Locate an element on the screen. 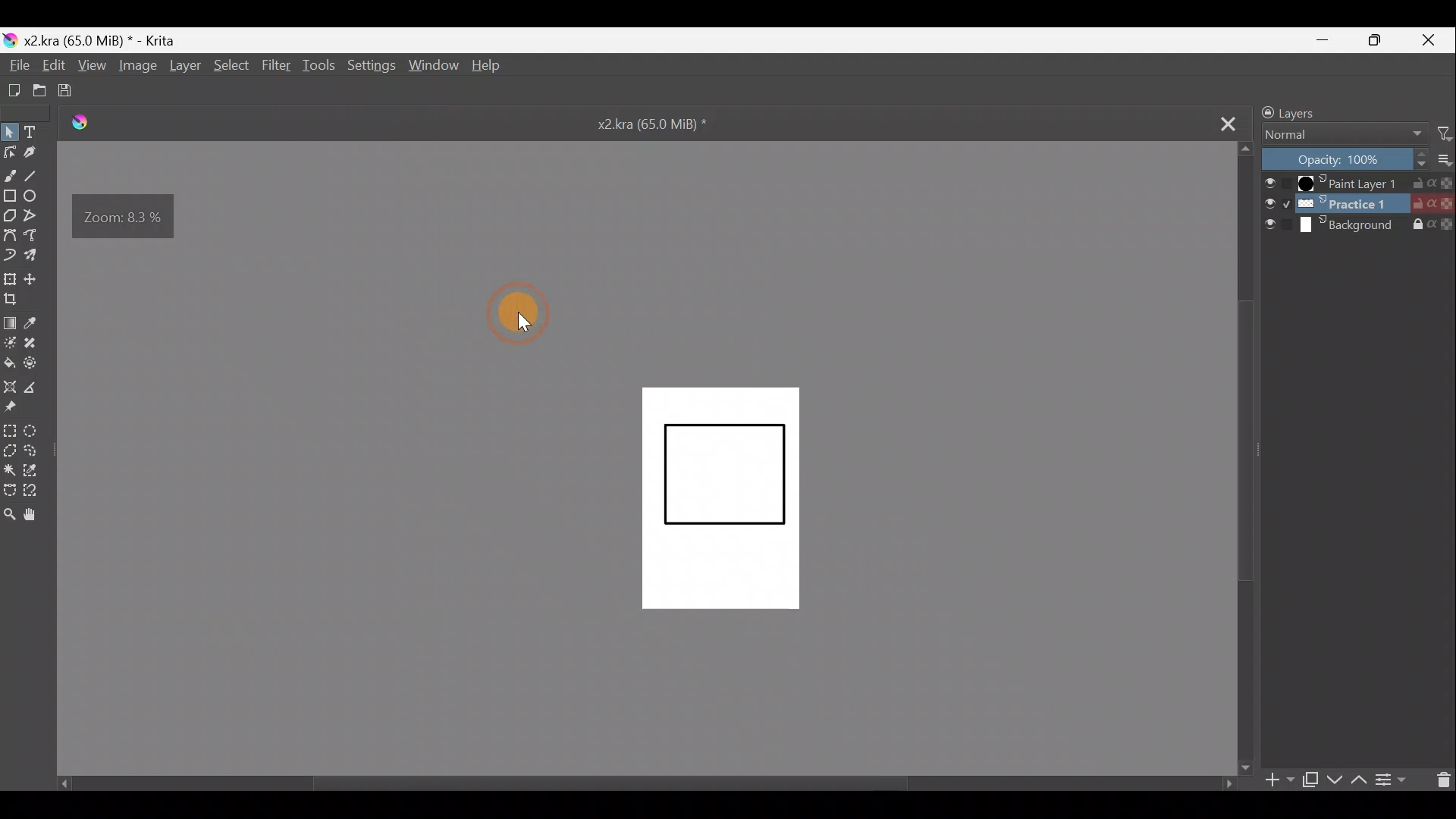 This screenshot has height=819, width=1456. Filter is located at coordinates (277, 64).